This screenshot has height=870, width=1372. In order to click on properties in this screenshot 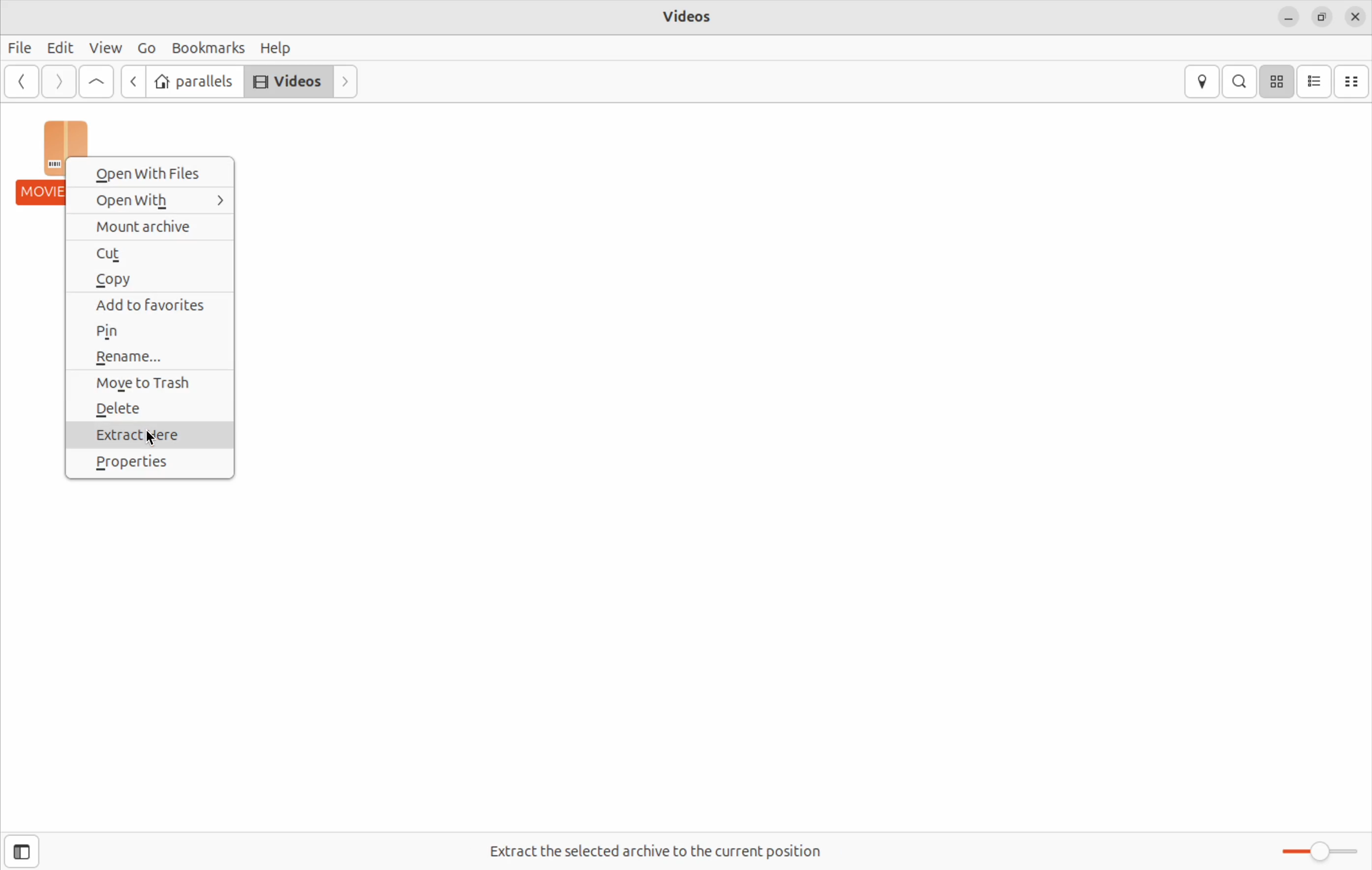, I will do `click(149, 465)`.